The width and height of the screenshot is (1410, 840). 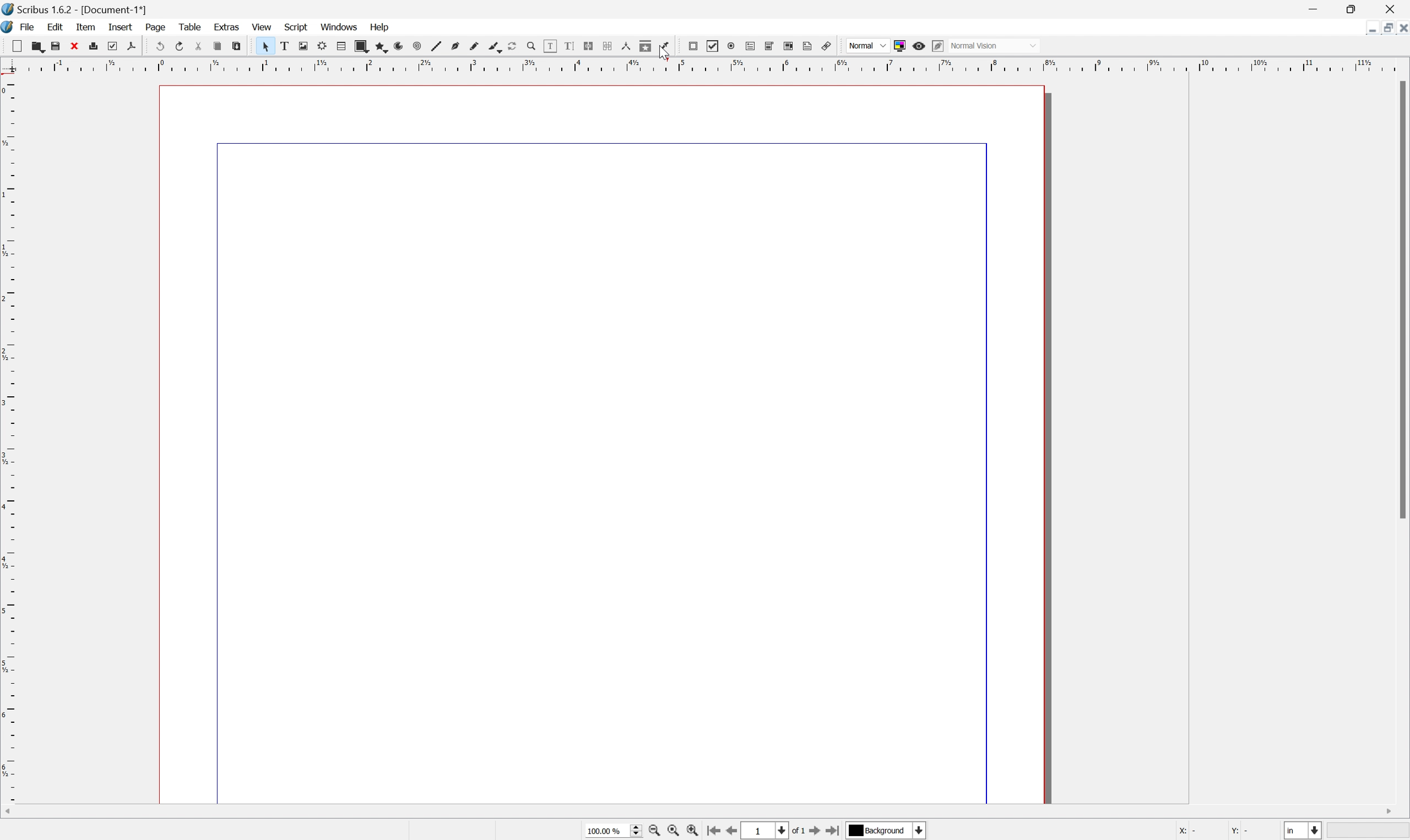 I want to click on Go to last page, so click(x=834, y=832).